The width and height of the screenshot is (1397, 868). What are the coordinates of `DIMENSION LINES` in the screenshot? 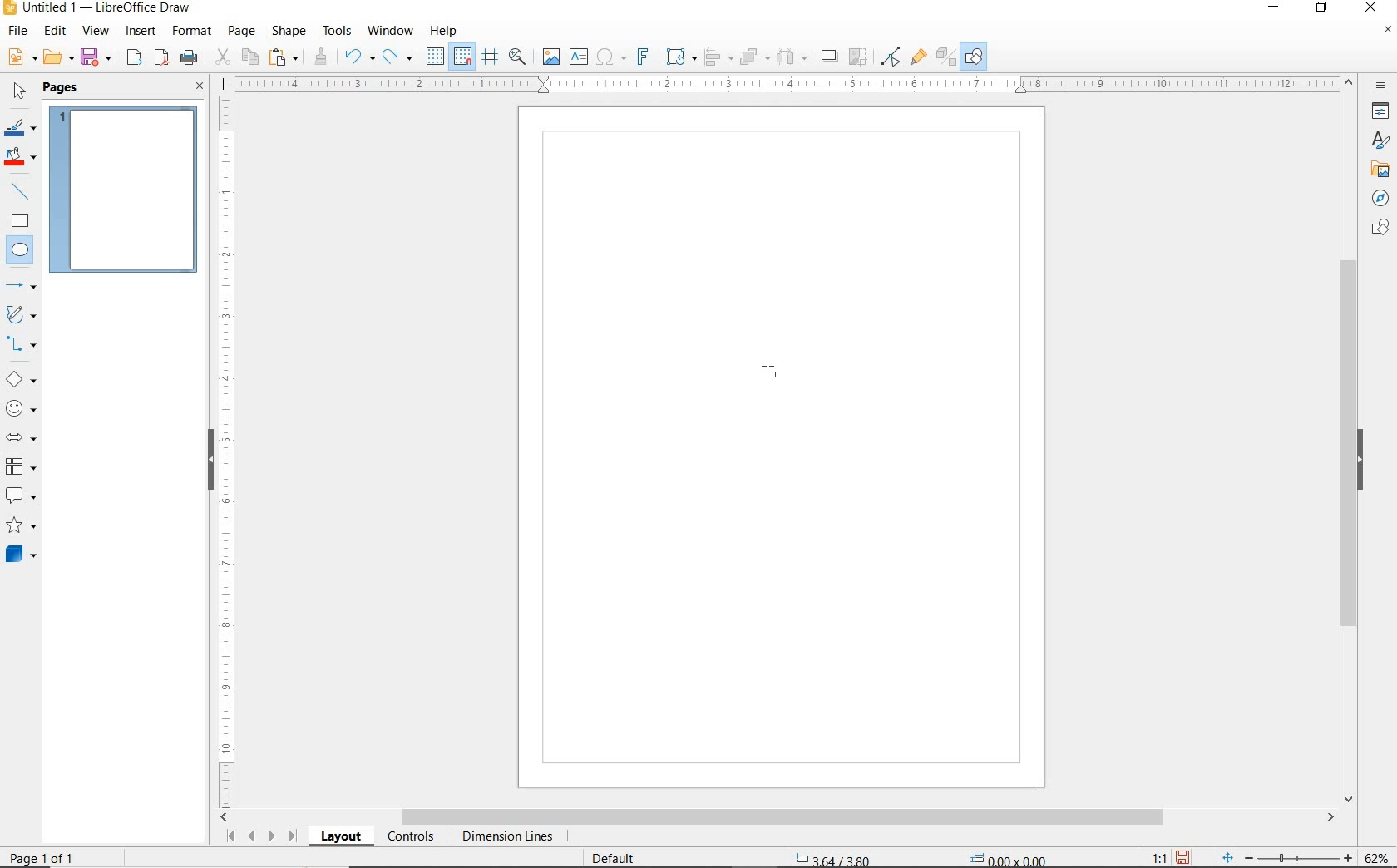 It's located at (505, 838).